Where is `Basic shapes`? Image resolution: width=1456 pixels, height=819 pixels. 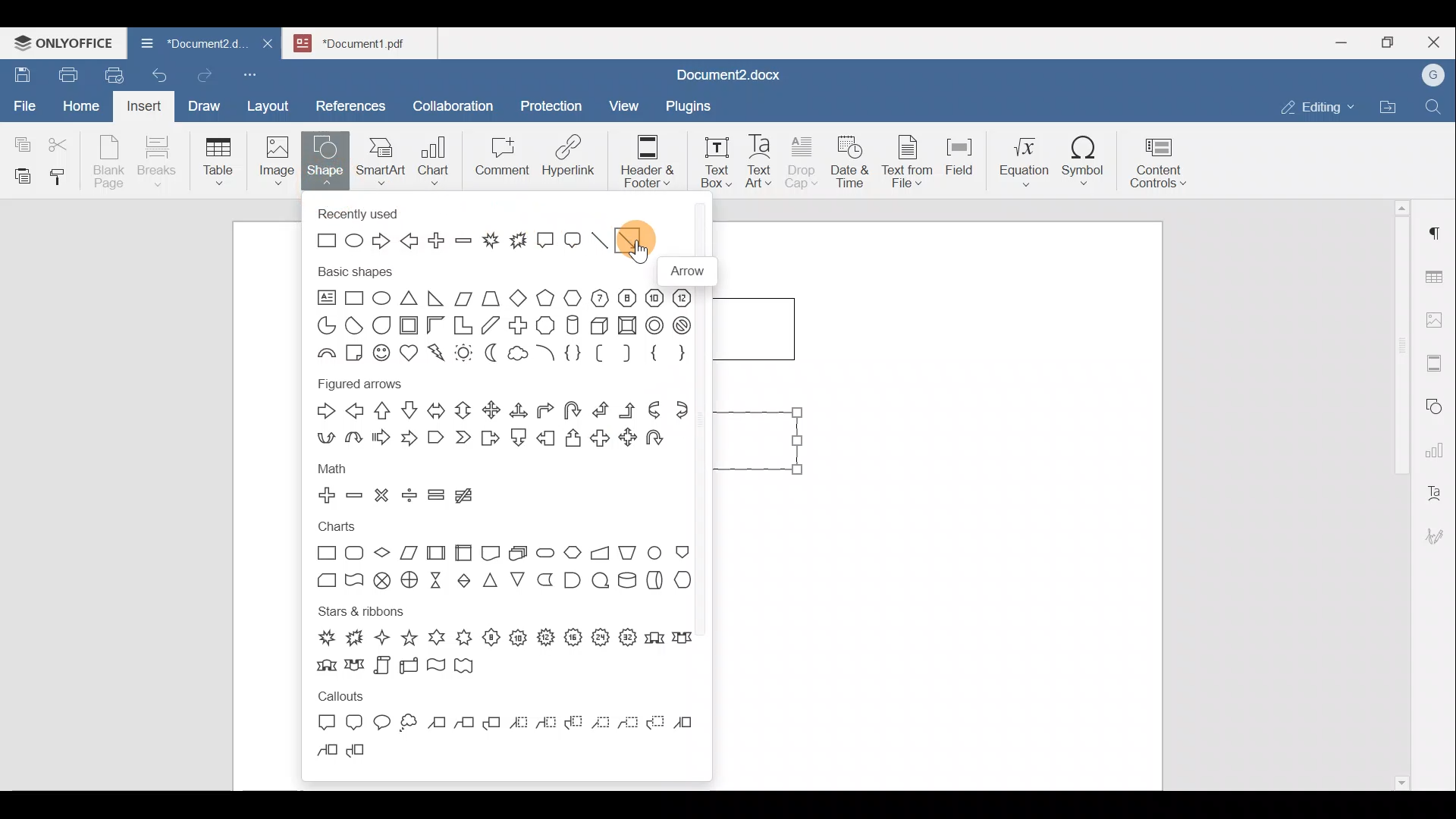
Basic shapes is located at coordinates (499, 314).